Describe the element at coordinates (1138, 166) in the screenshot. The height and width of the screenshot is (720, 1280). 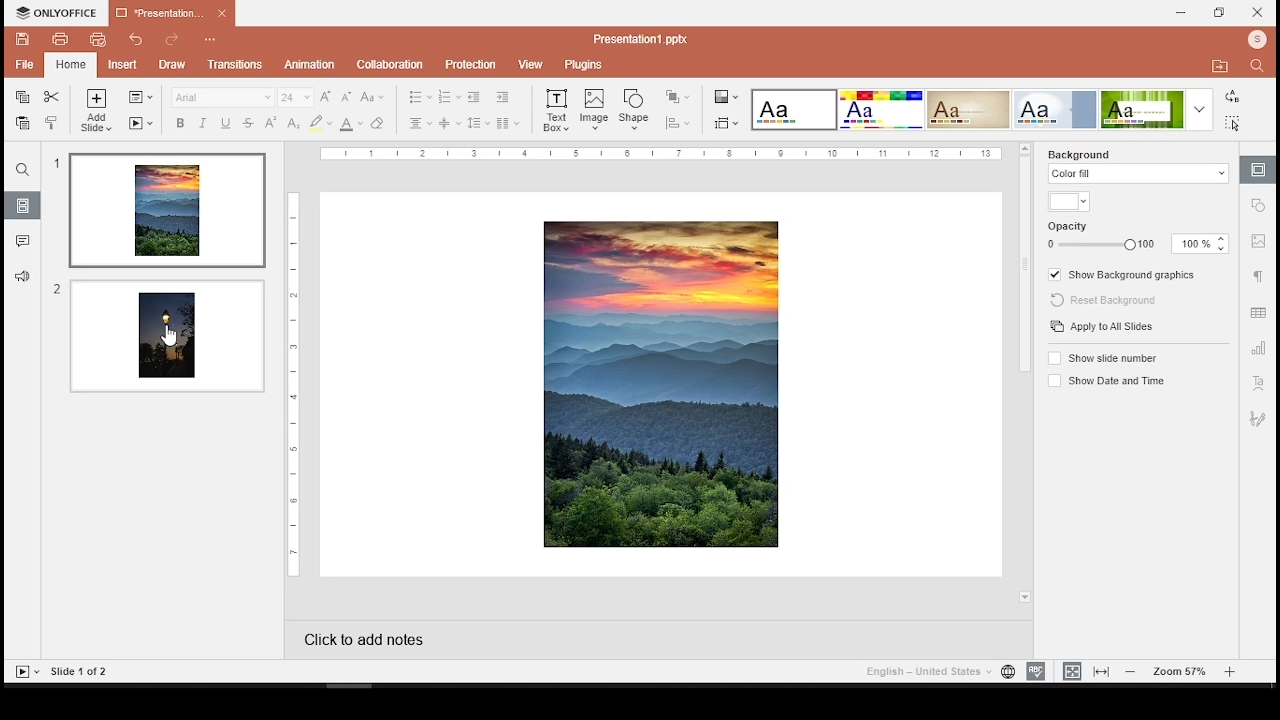
I see `background fill` at that location.